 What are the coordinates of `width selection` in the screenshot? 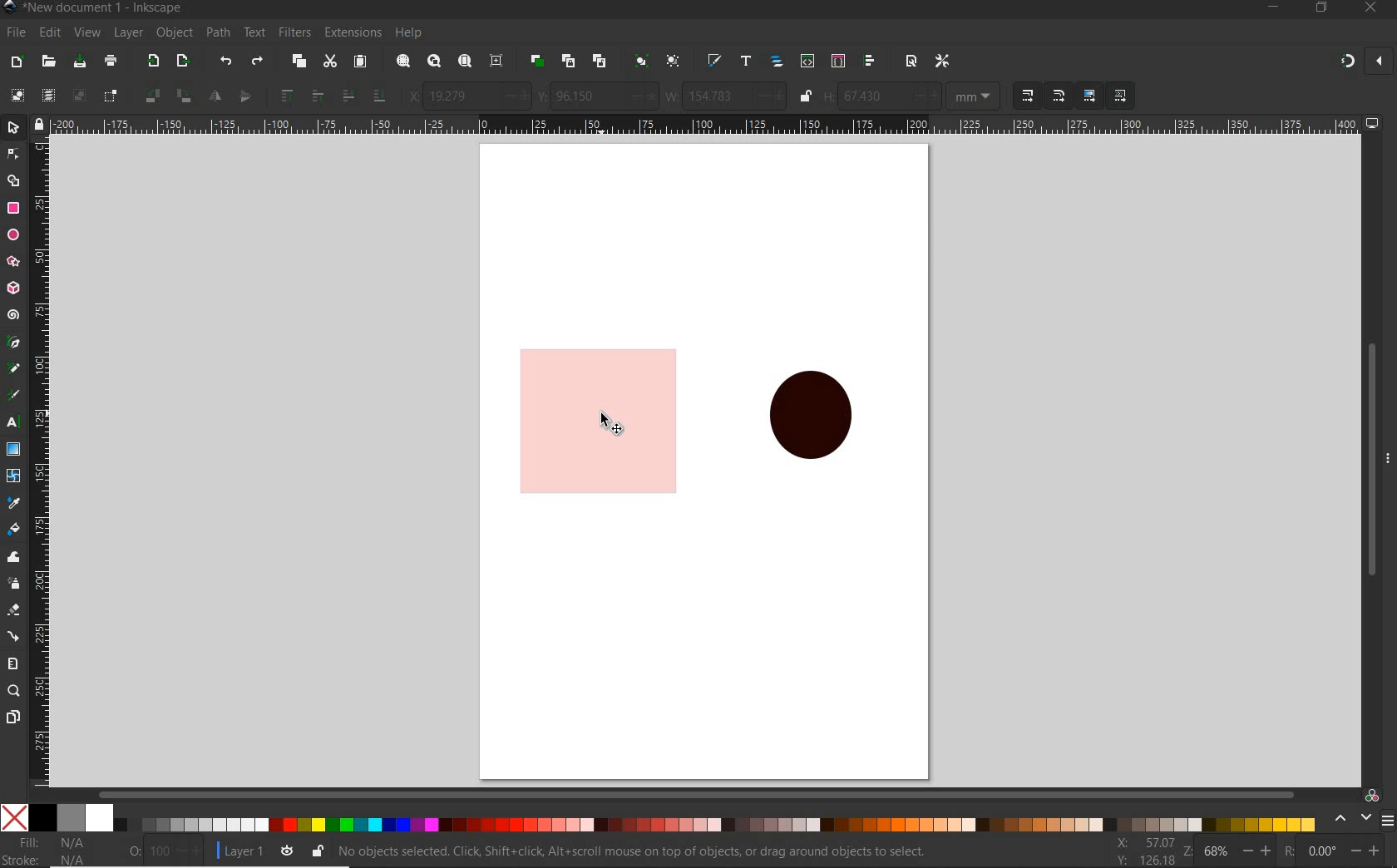 It's located at (723, 97).